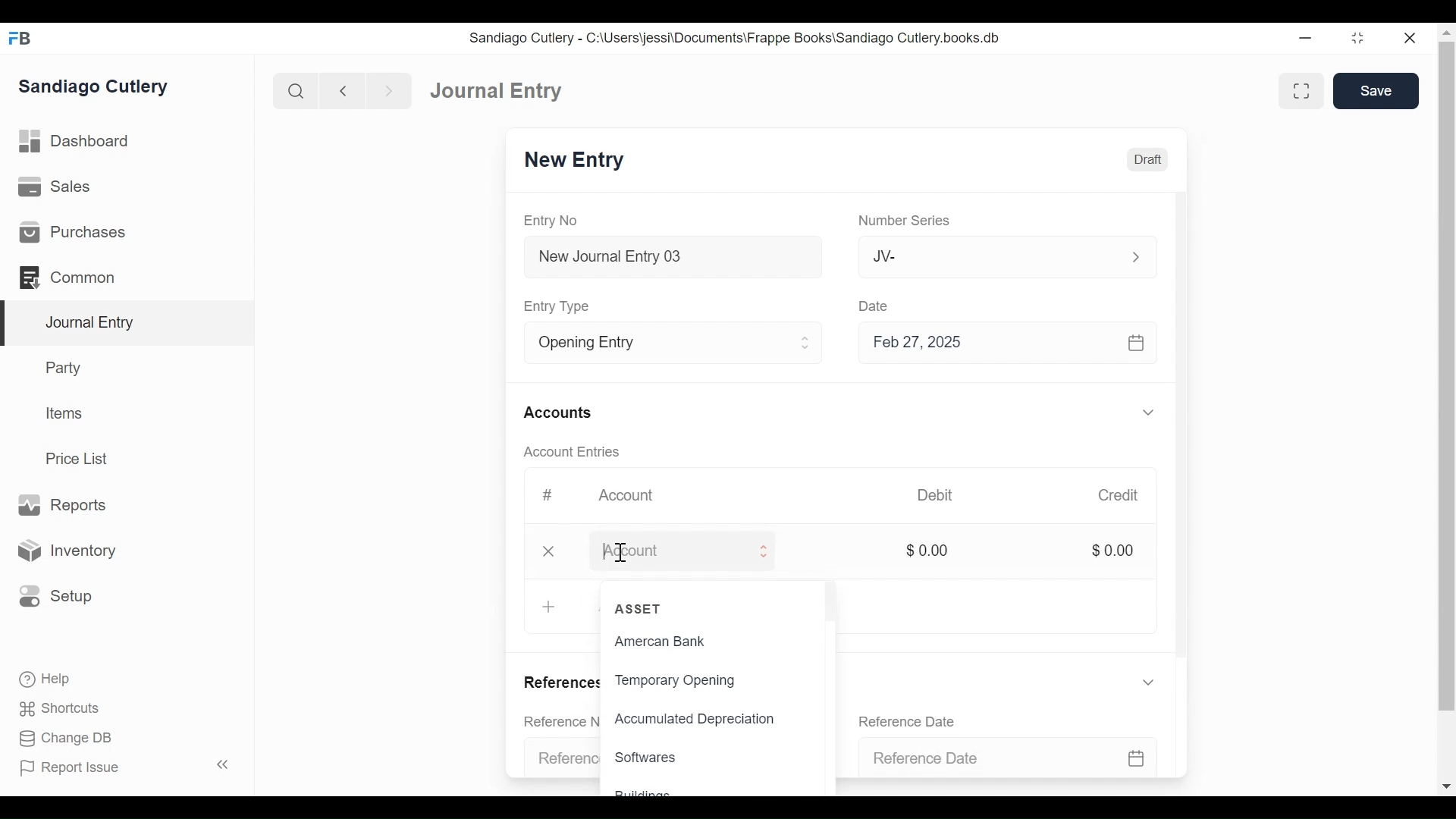  What do you see at coordinates (551, 494) in the screenshot?
I see `#` at bounding box center [551, 494].